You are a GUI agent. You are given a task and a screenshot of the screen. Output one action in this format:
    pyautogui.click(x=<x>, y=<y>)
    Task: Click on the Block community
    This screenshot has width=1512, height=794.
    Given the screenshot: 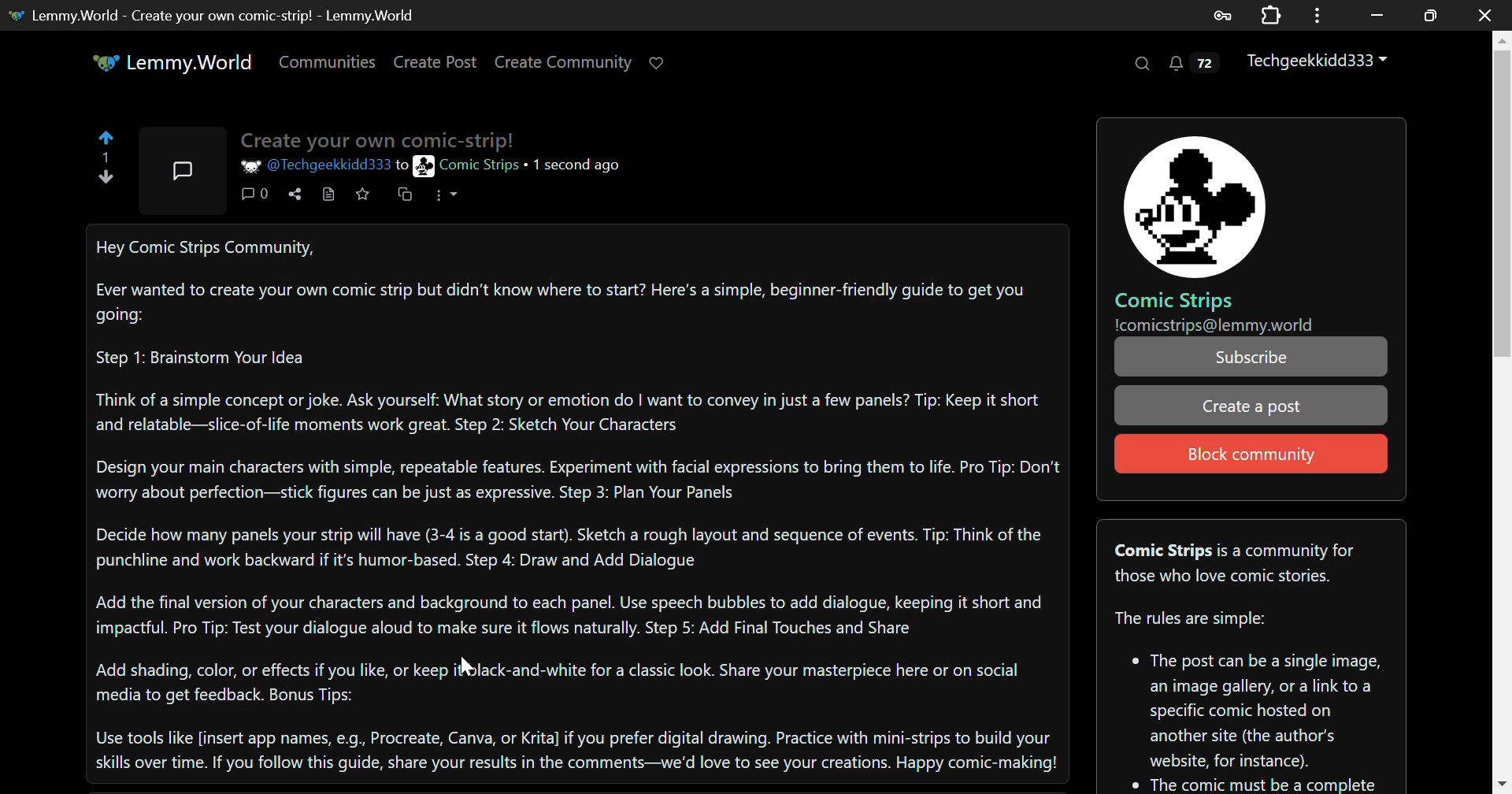 What is the action you would take?
    pyautogui.click(x=1251, y=453)
    